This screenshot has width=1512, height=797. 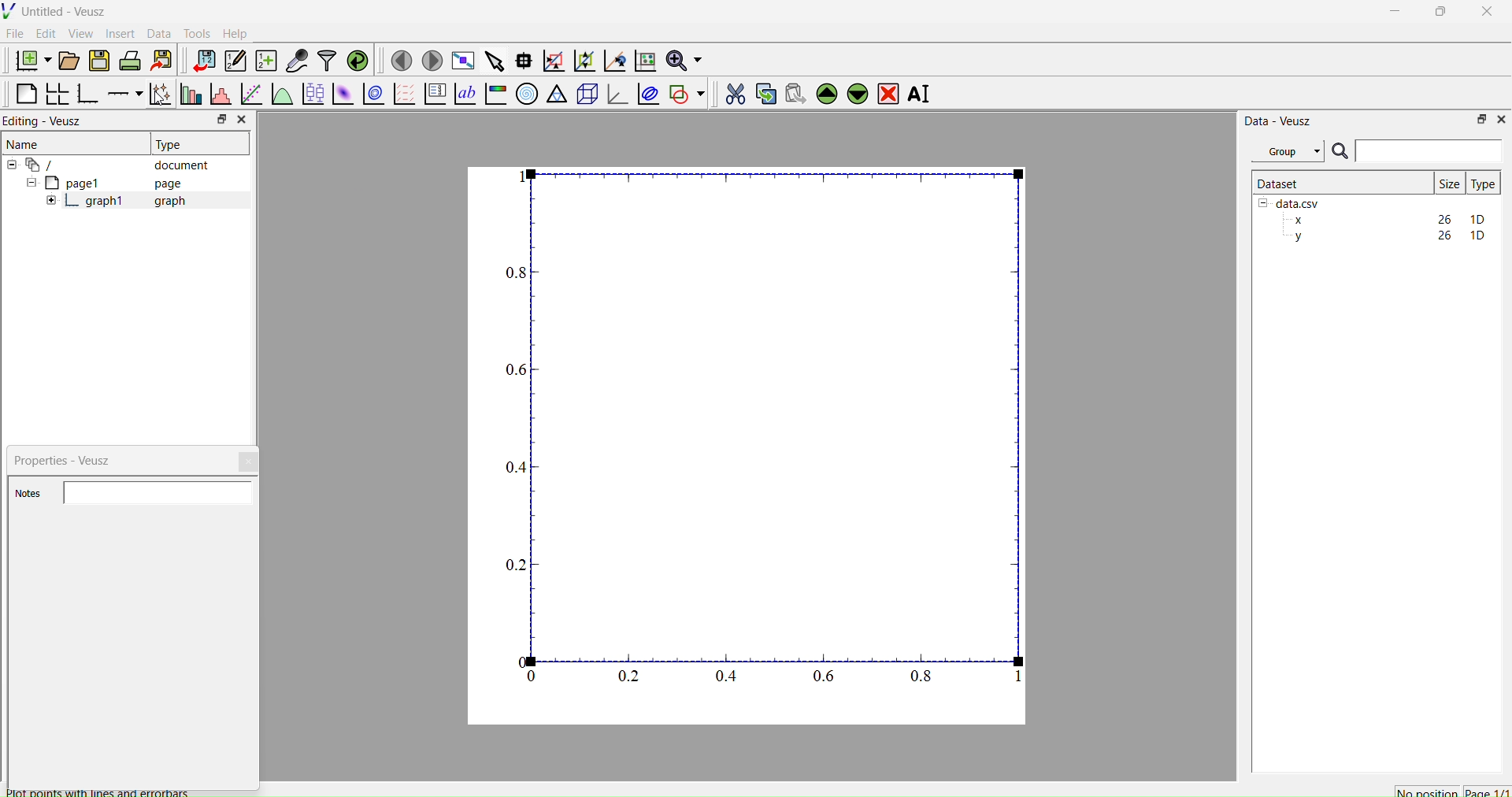 I want to click on Down, so click(x=857, y=91).